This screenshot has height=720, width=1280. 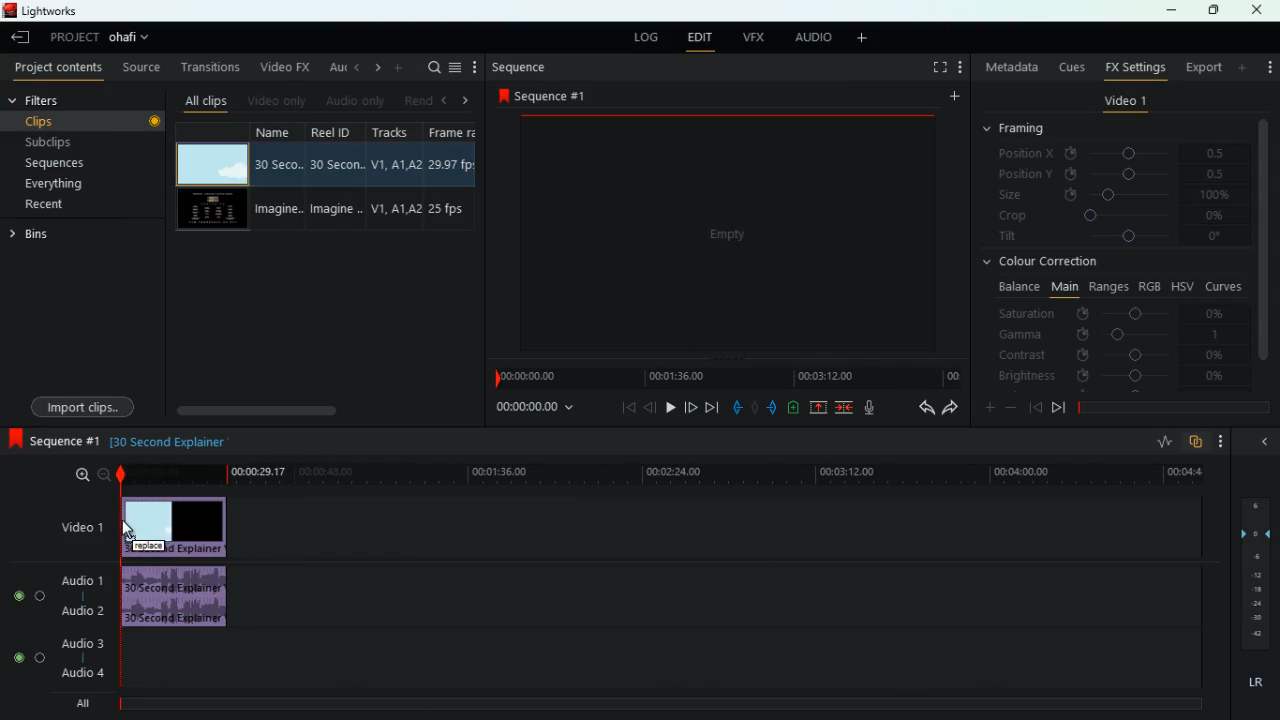 I want to click on time, so click(x=660, y=474).